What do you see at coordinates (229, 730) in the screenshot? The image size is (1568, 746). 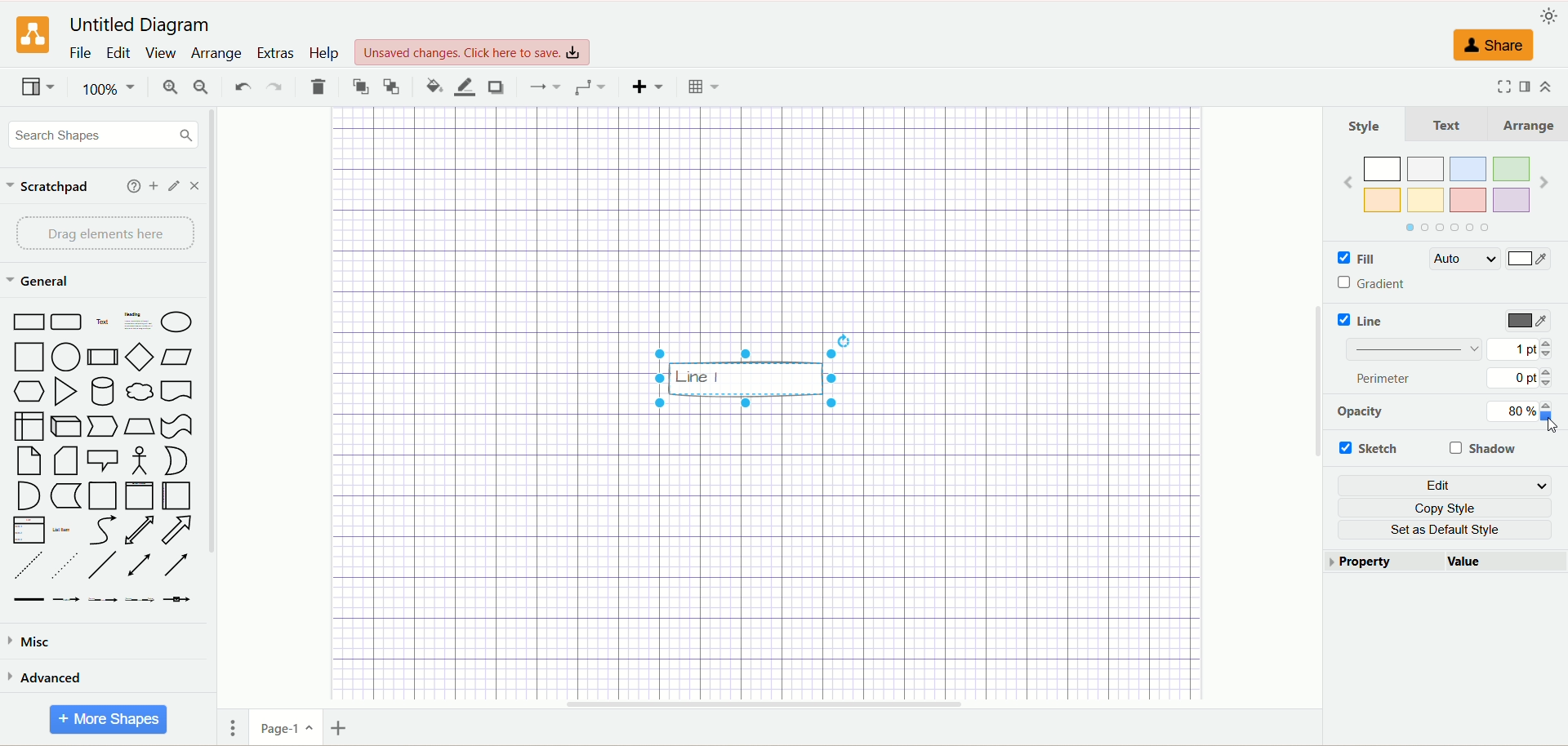 I see `pages` at bounding box center [229, 730].